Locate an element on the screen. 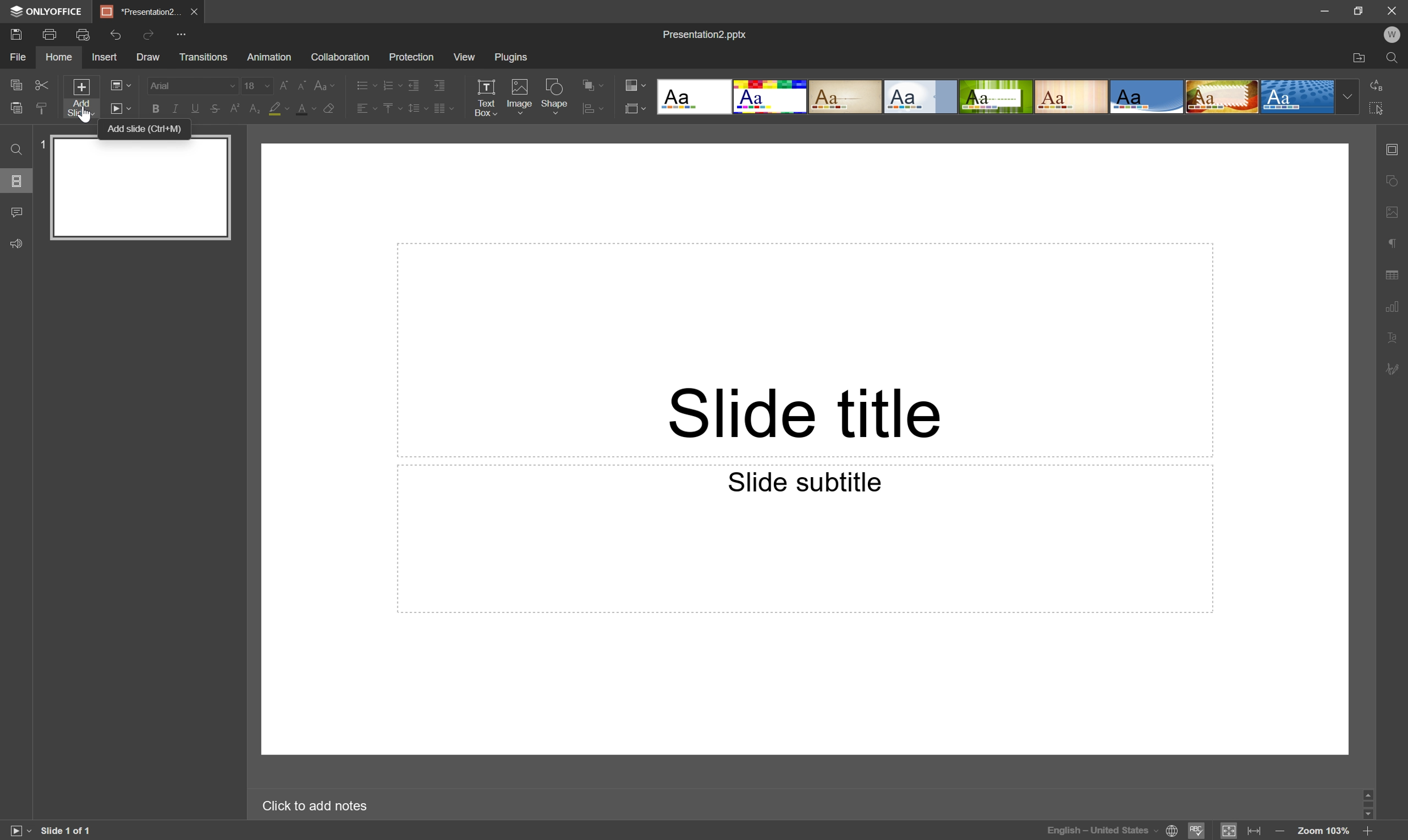 This screenshot has width=1408, height=840. Transitions is located at coordinates (203, 58).